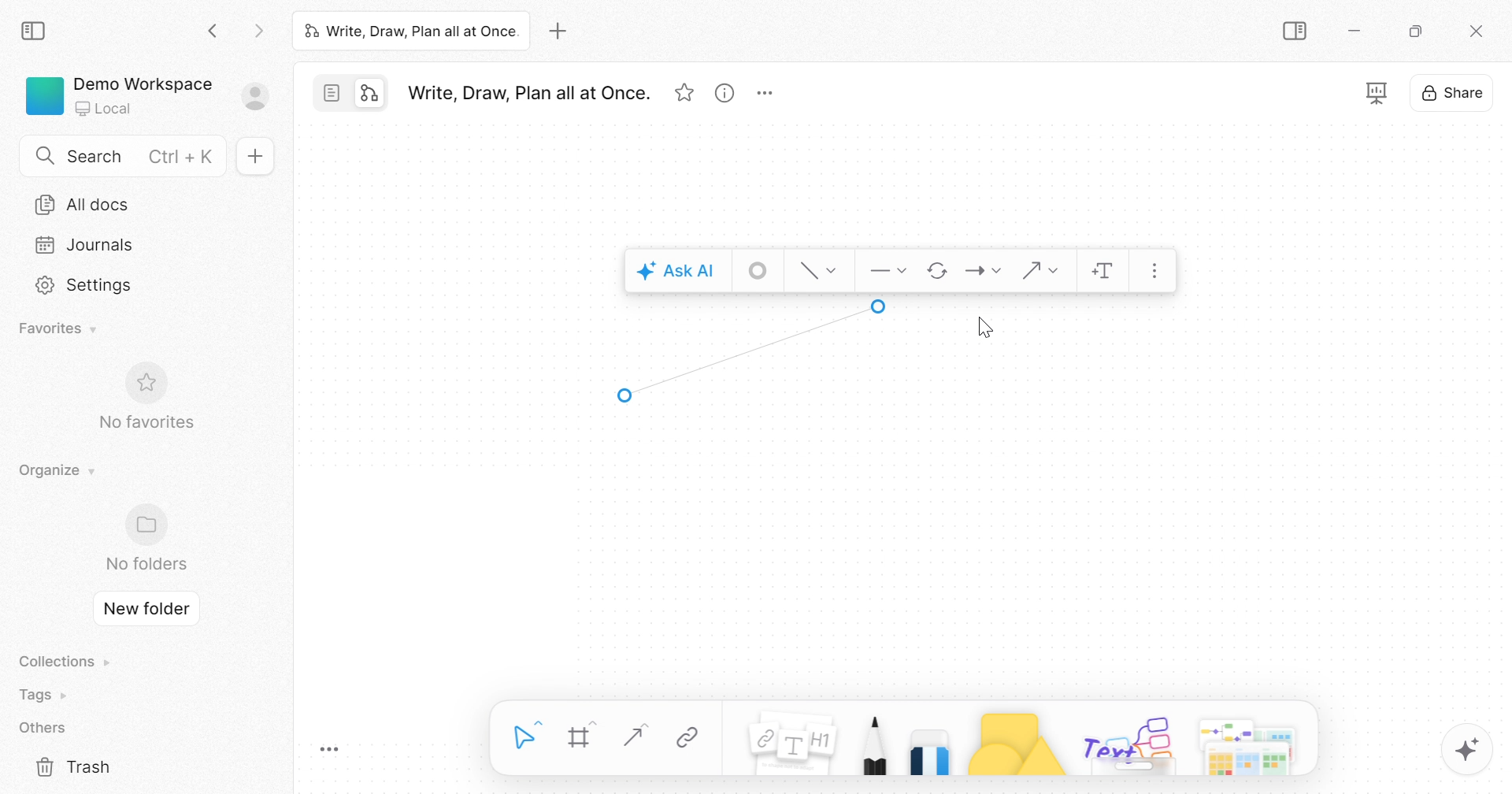  I want to click on Flip direction, so click(939, 273).